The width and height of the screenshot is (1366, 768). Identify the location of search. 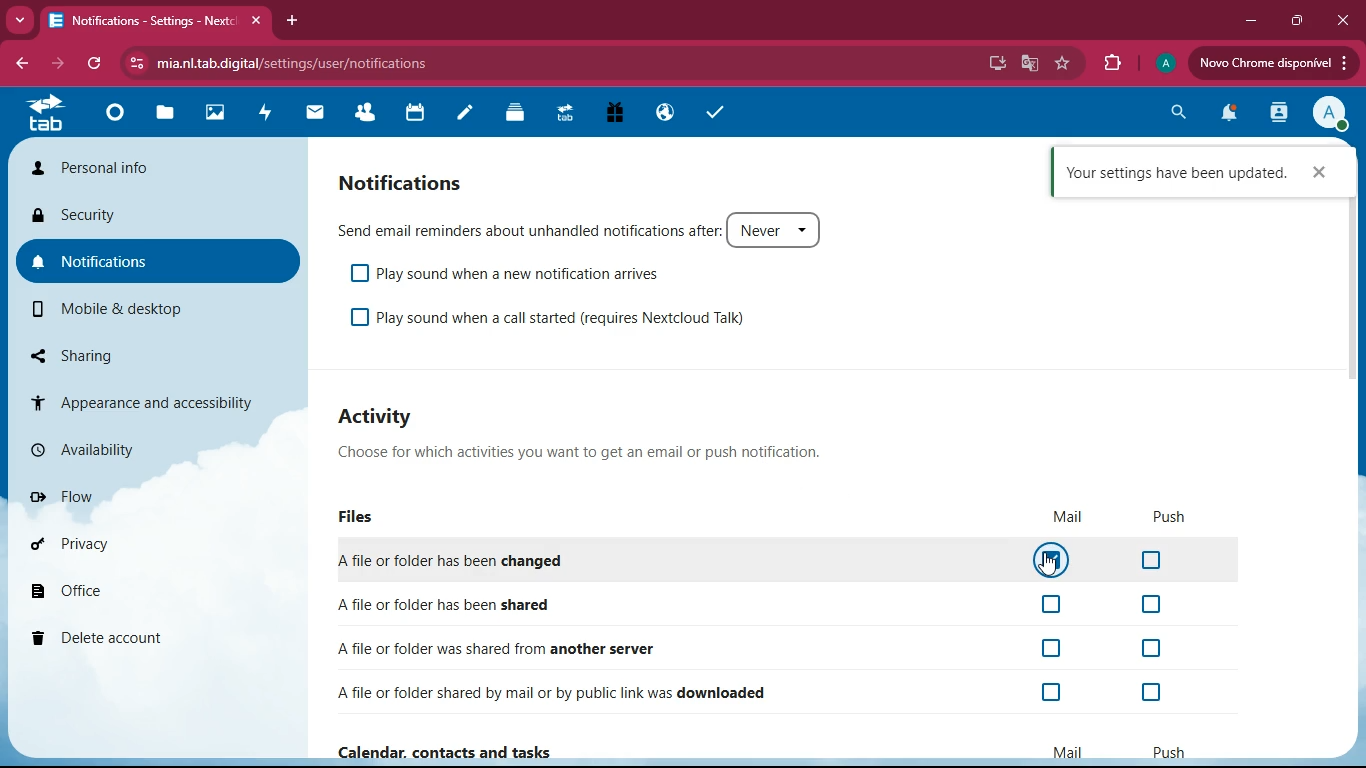
(1176, 115).